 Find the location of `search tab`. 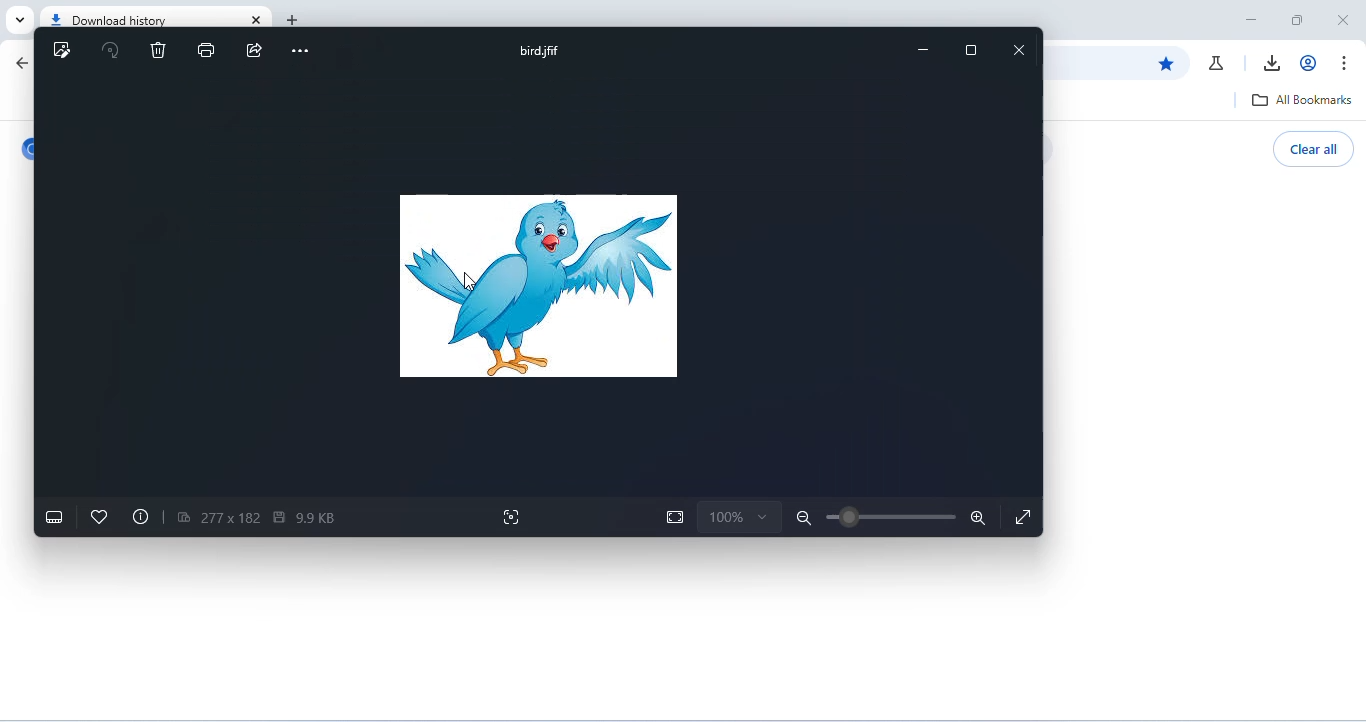

search tab is located at coordinates (22, 21).